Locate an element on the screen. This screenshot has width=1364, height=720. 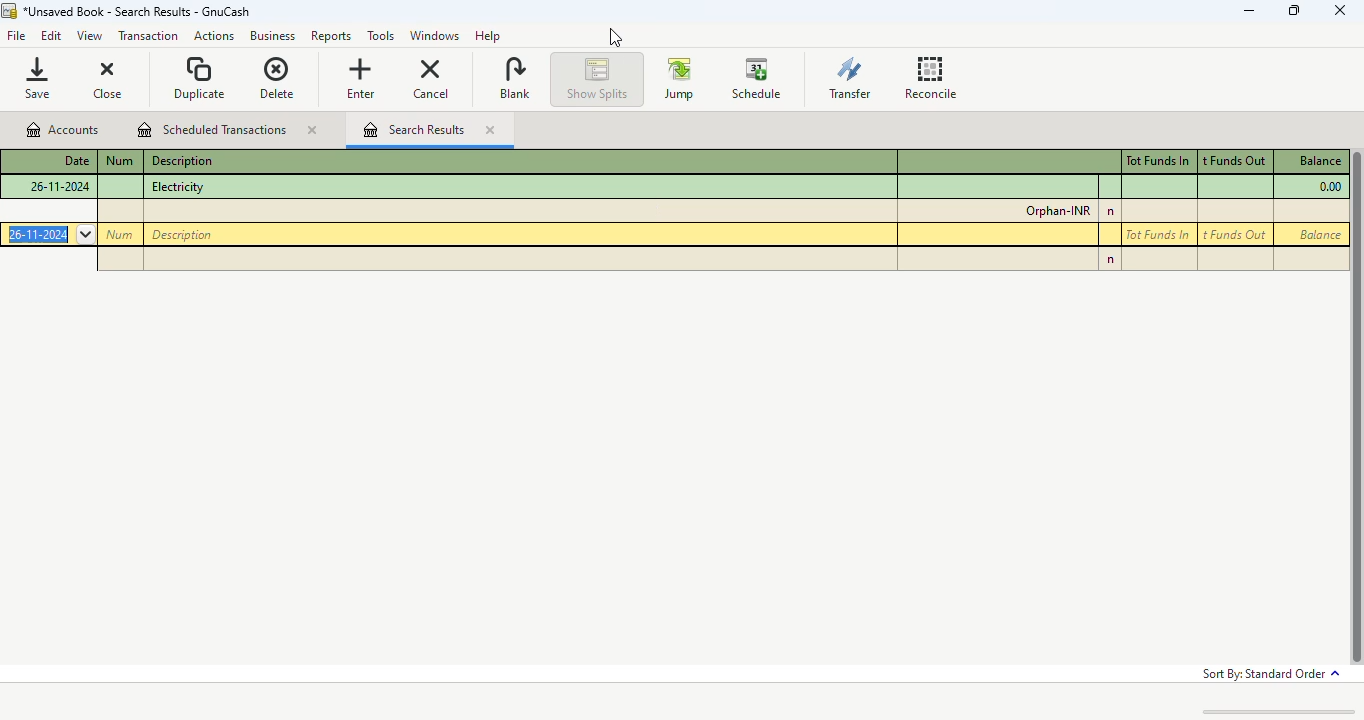
edit is located at coordinates (52, 35).